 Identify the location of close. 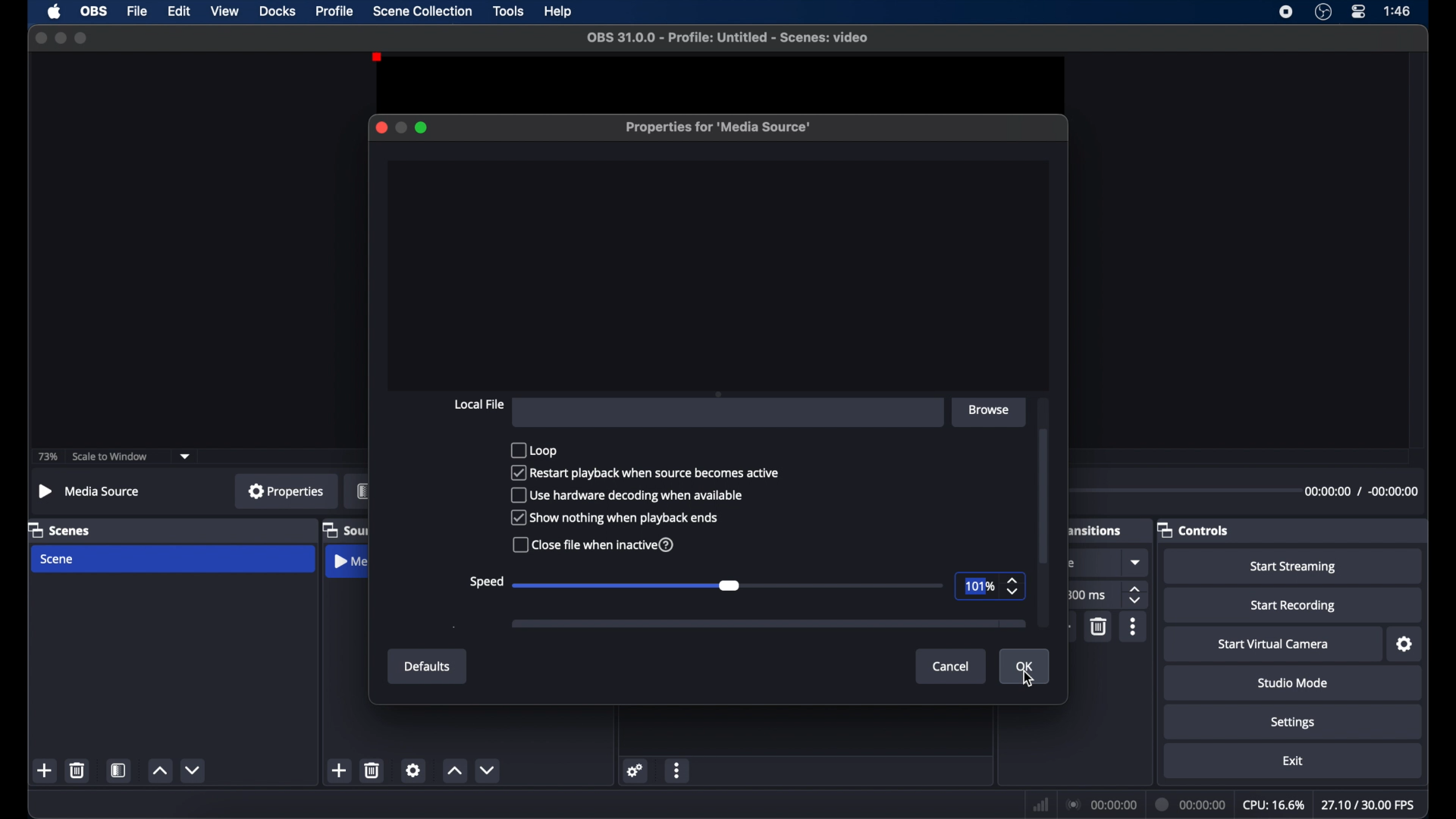
(41, 39).